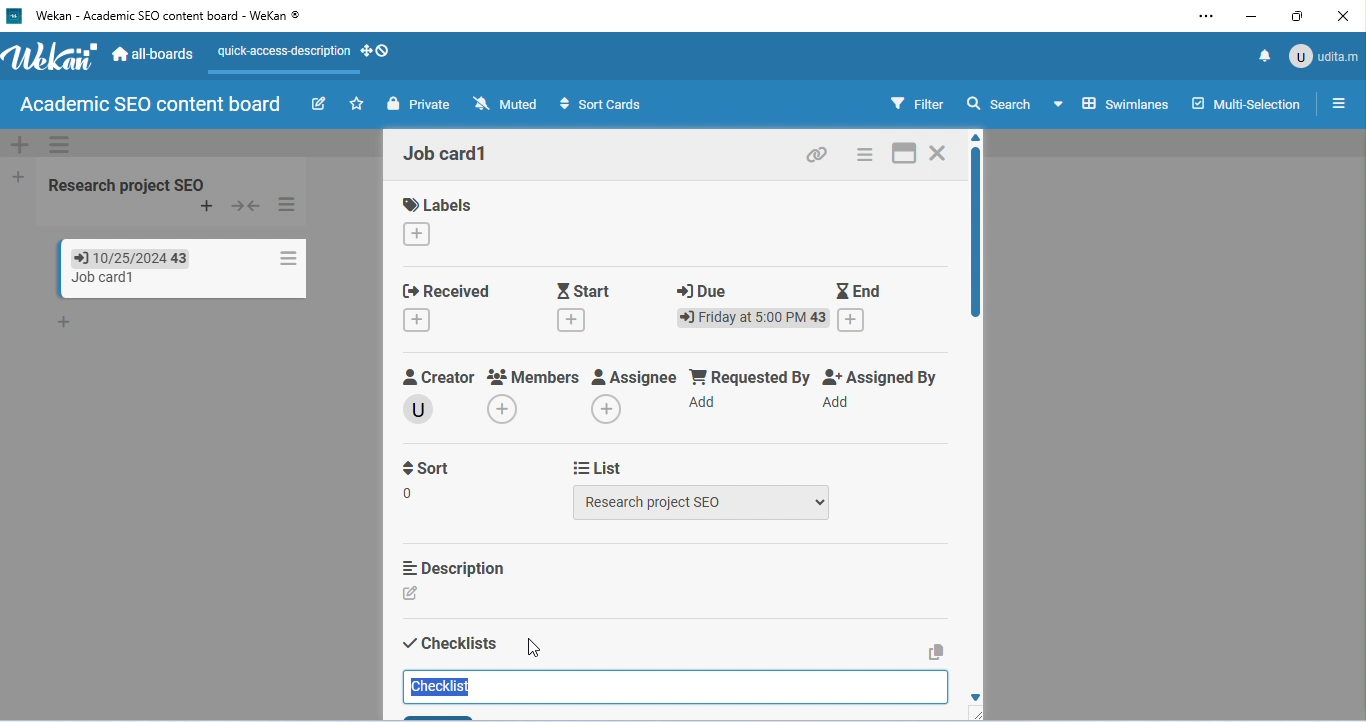 The height and width of the screenshot is (722, 1366). What do you see at coordinates (635, 378) in the screenshot?
I see `assignee` at bounding box center [635, 378].